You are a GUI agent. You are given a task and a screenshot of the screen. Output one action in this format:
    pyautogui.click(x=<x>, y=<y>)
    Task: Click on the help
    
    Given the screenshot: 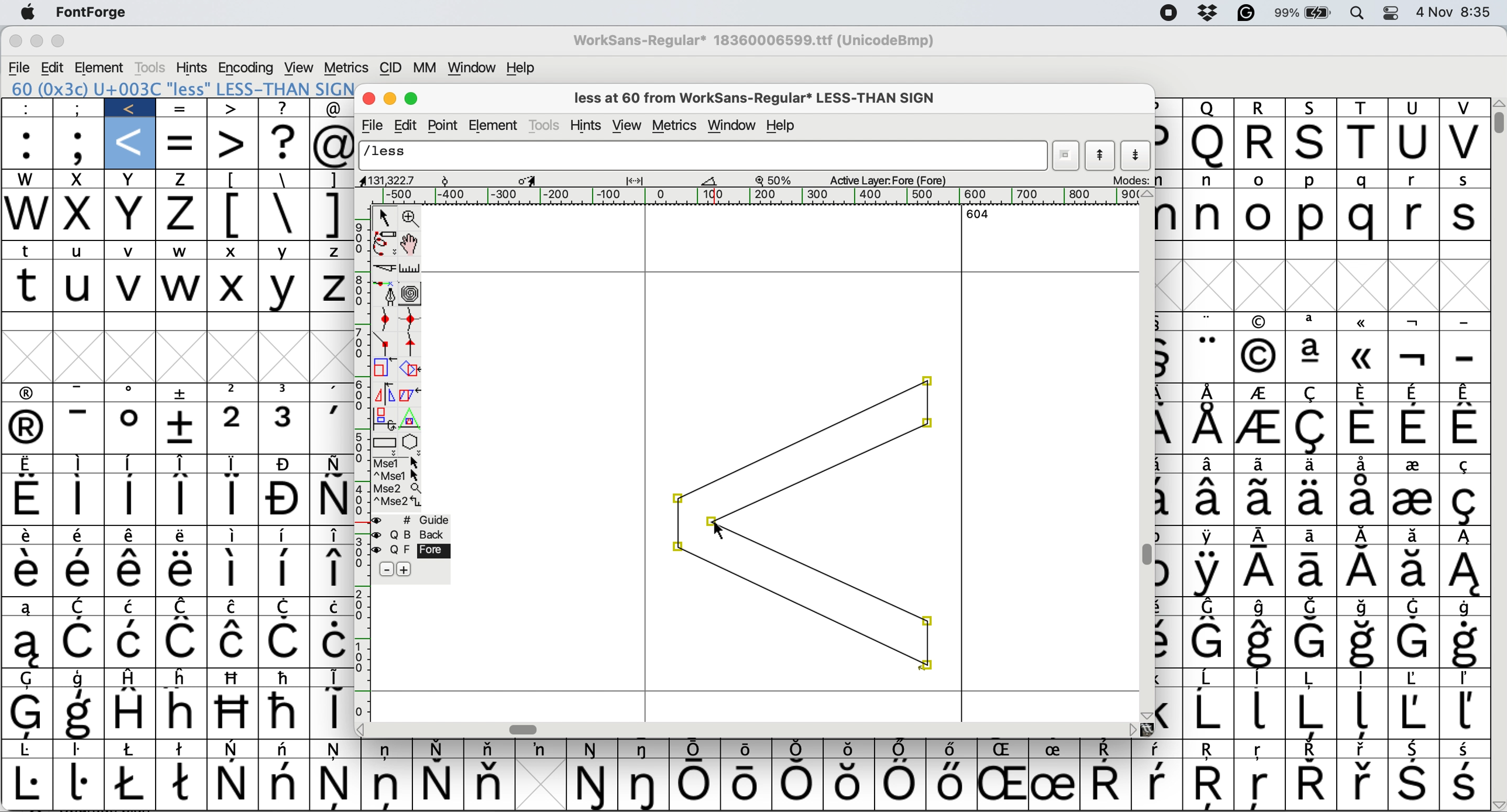 What is the action you would take?
    pyautogui.click(x=783, y=125)
    